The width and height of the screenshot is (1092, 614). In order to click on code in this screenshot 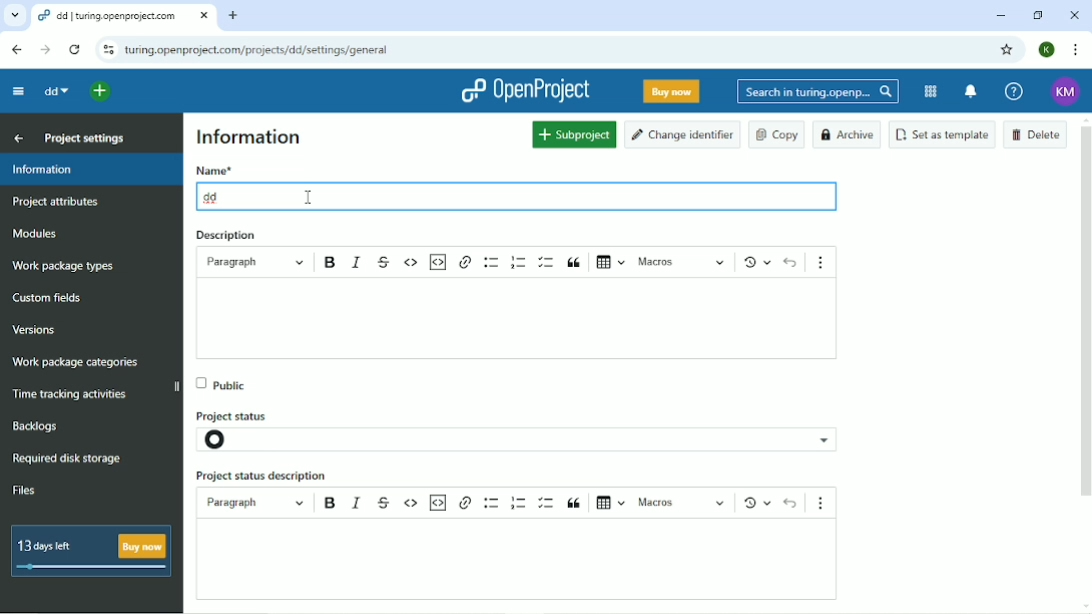, I will do `click(411, 503)`.